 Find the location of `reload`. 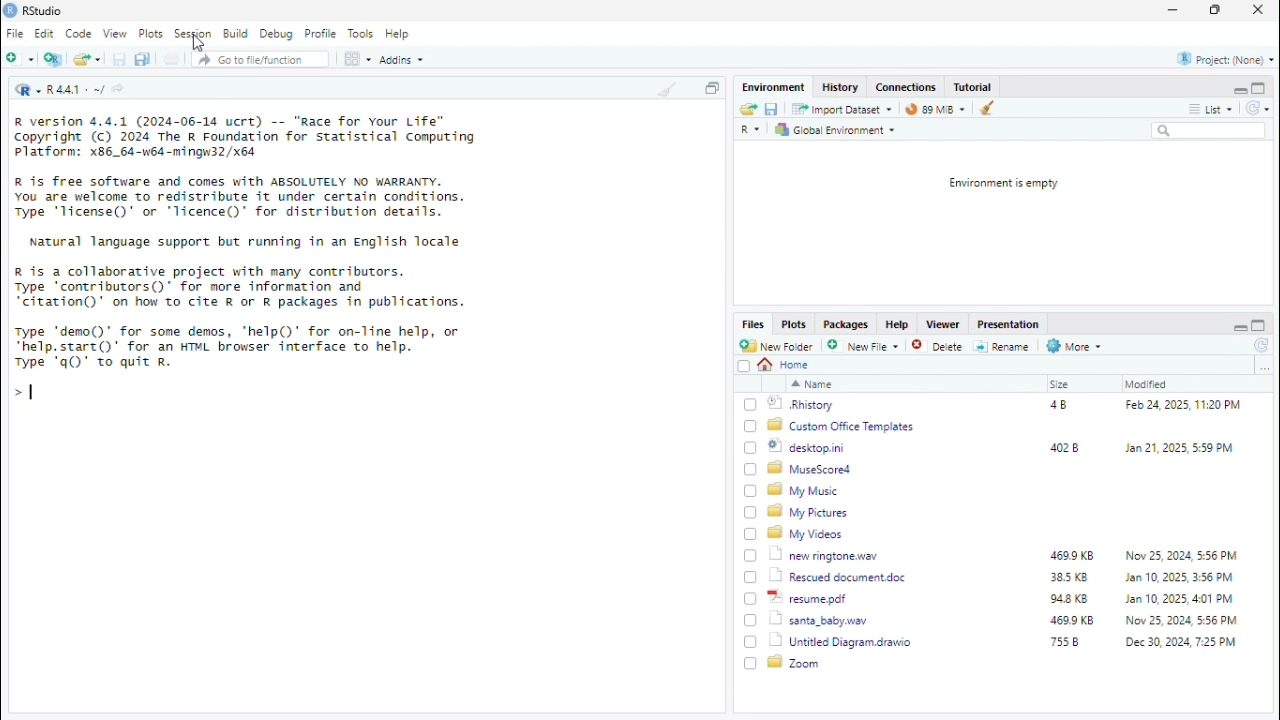

reload is located at coordinates (1257, 107).